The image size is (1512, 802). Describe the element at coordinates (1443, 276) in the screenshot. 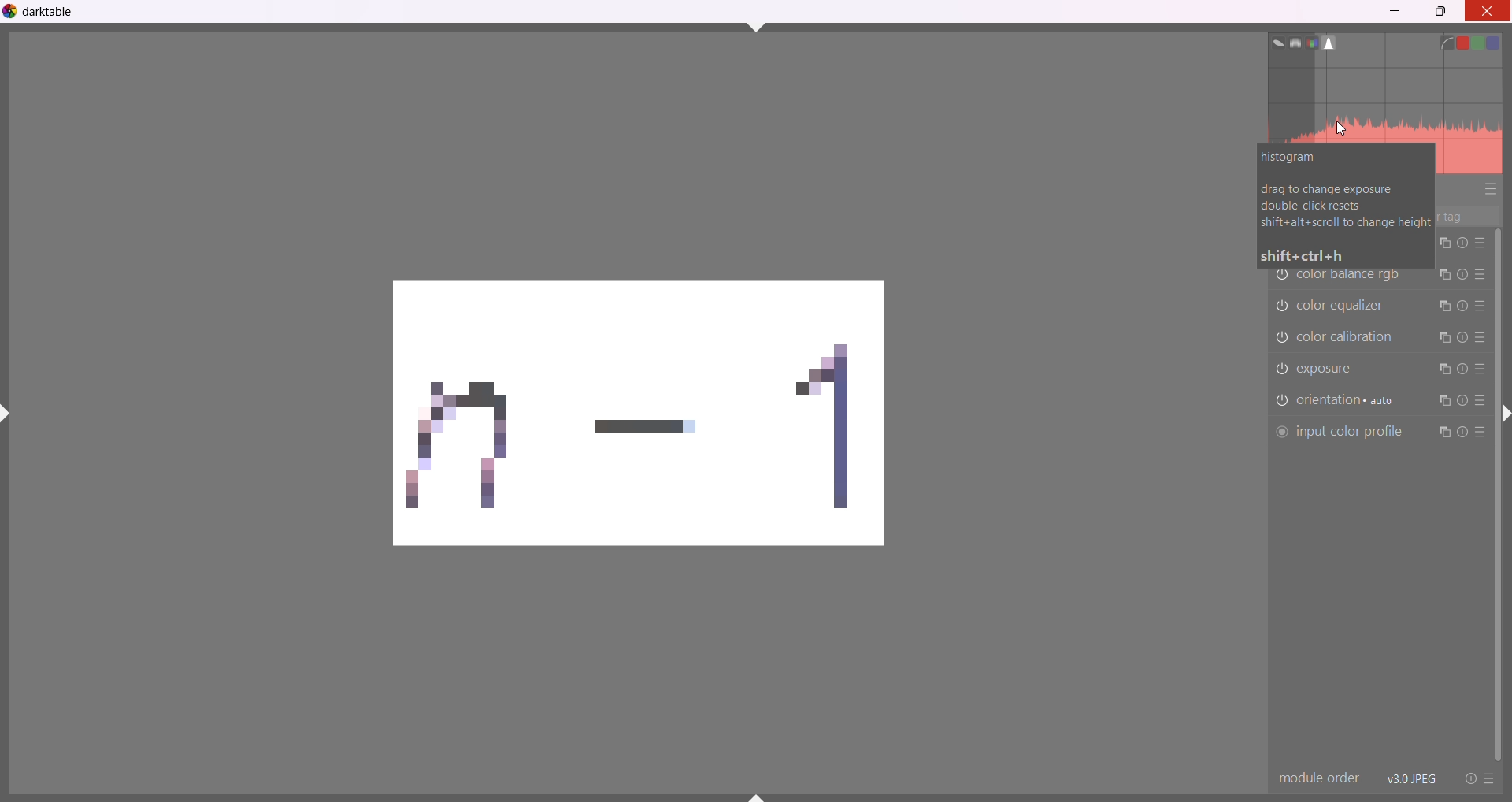

I see `instance` at that location.